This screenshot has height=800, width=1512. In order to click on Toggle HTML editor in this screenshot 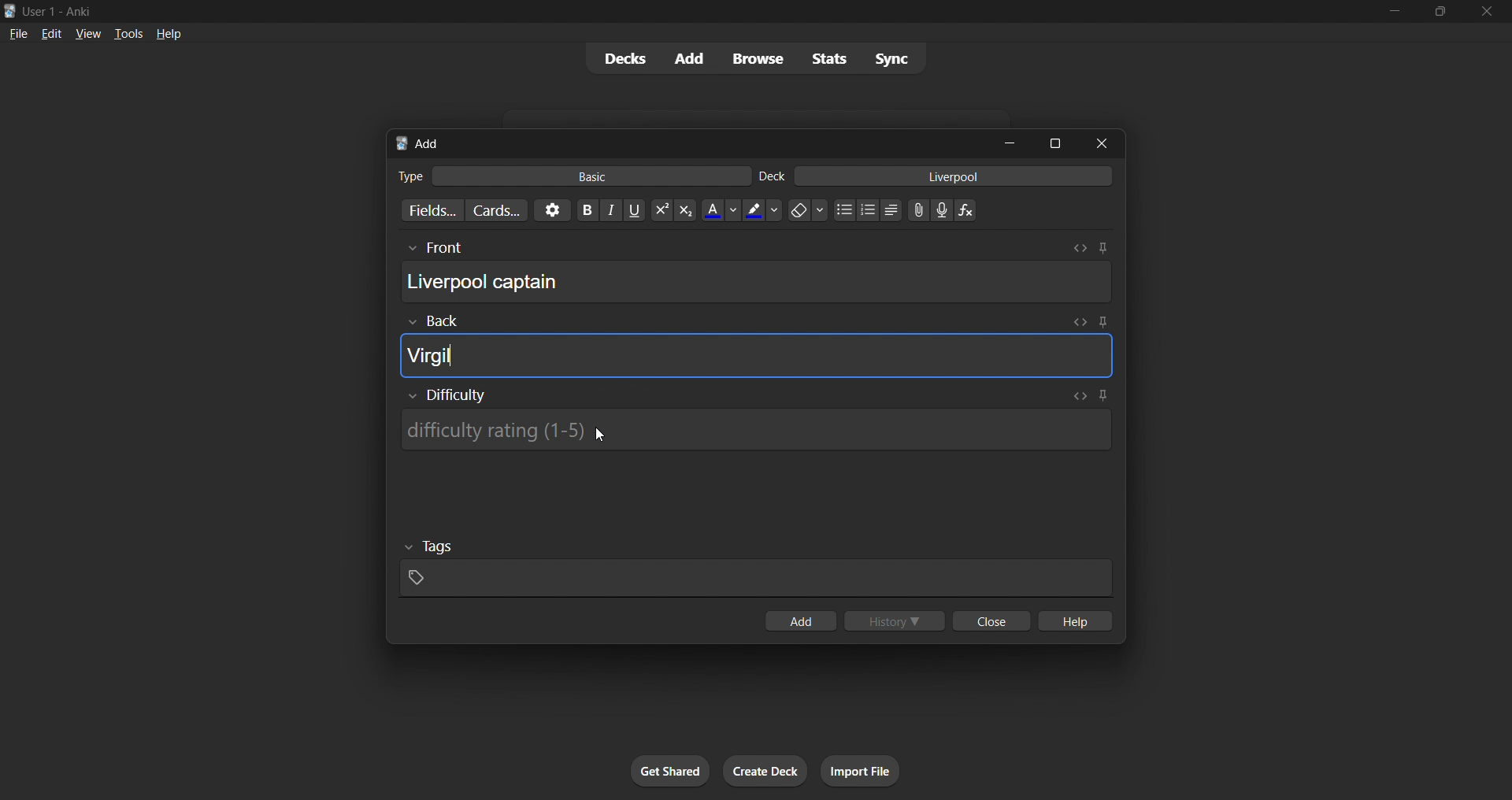, I will do `click(1080, 248)`.